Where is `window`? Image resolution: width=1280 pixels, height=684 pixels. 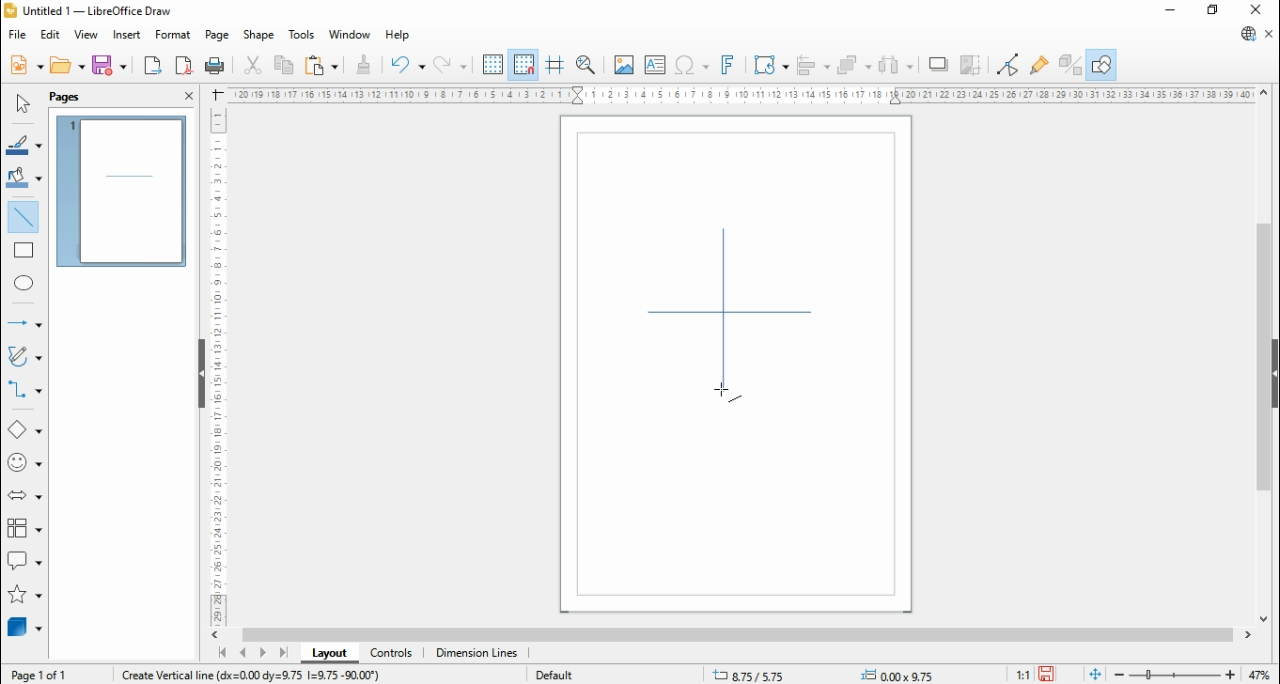
window is located at coordinates (349, 36).